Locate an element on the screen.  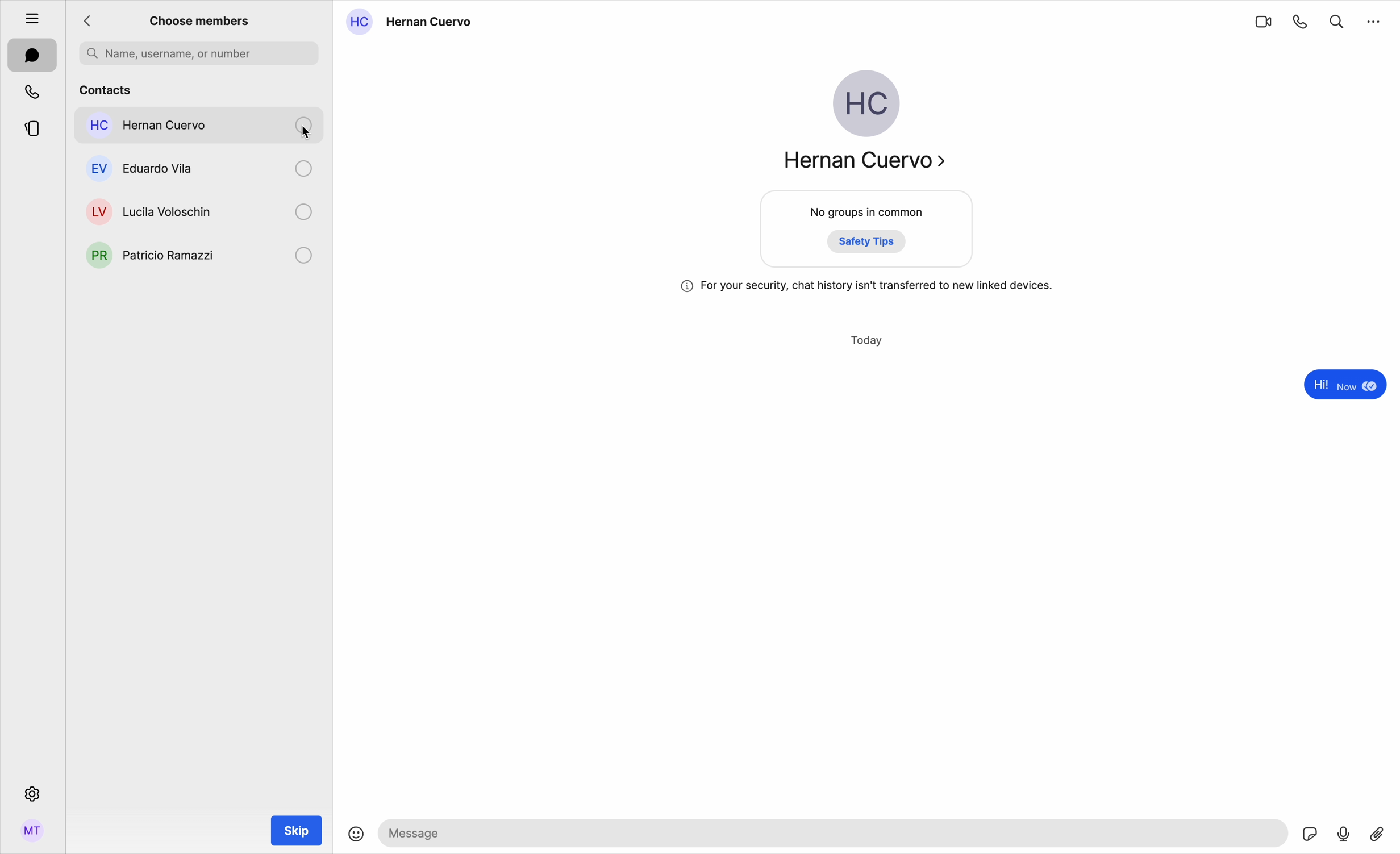
contacts  is located at coordinates (199, 88).